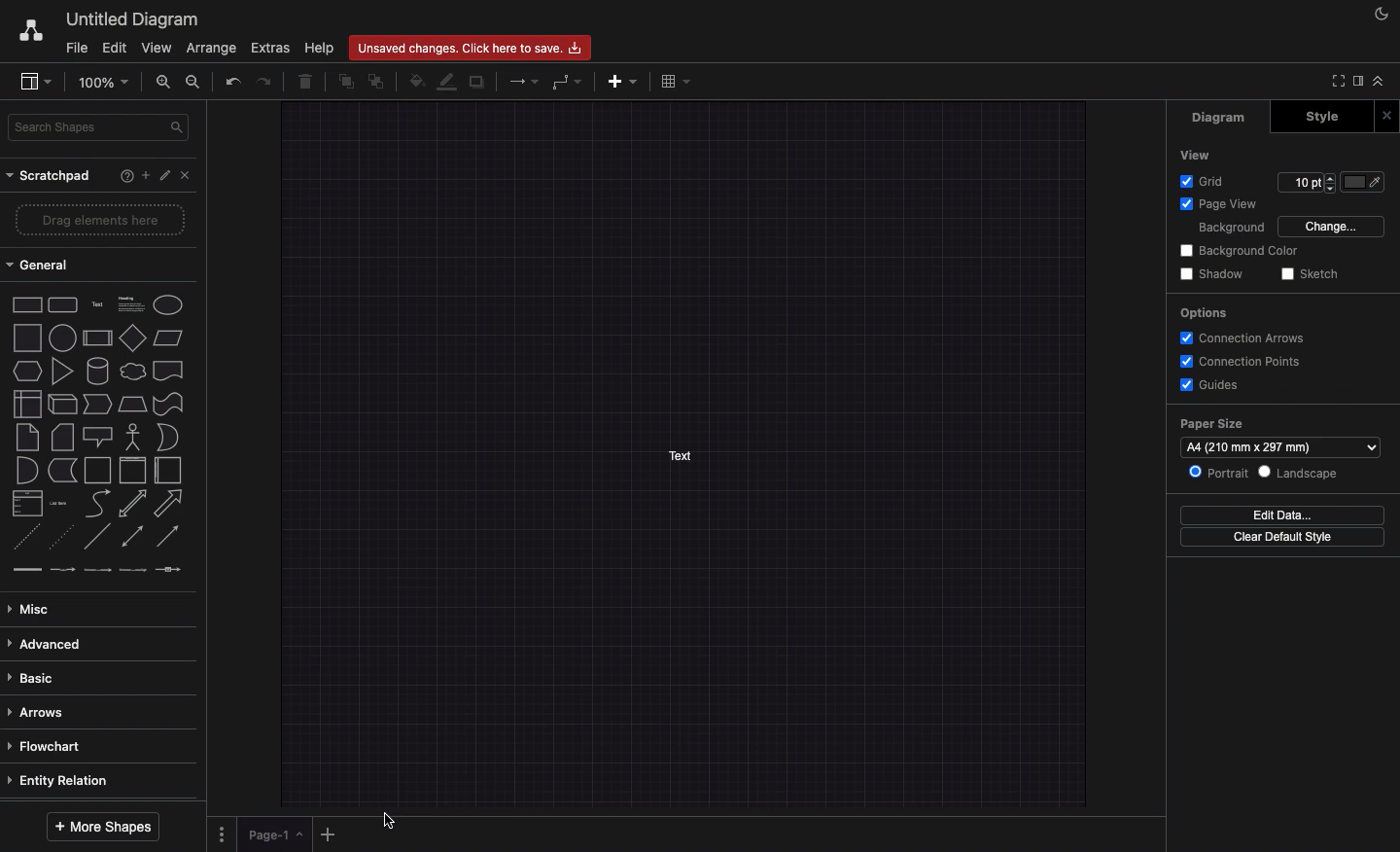 Image resolution: width=1400 pixels, height=852 pixels. Describe the element at coordinates (99, 827) in the screenshot. I see `More shapes` at that location.